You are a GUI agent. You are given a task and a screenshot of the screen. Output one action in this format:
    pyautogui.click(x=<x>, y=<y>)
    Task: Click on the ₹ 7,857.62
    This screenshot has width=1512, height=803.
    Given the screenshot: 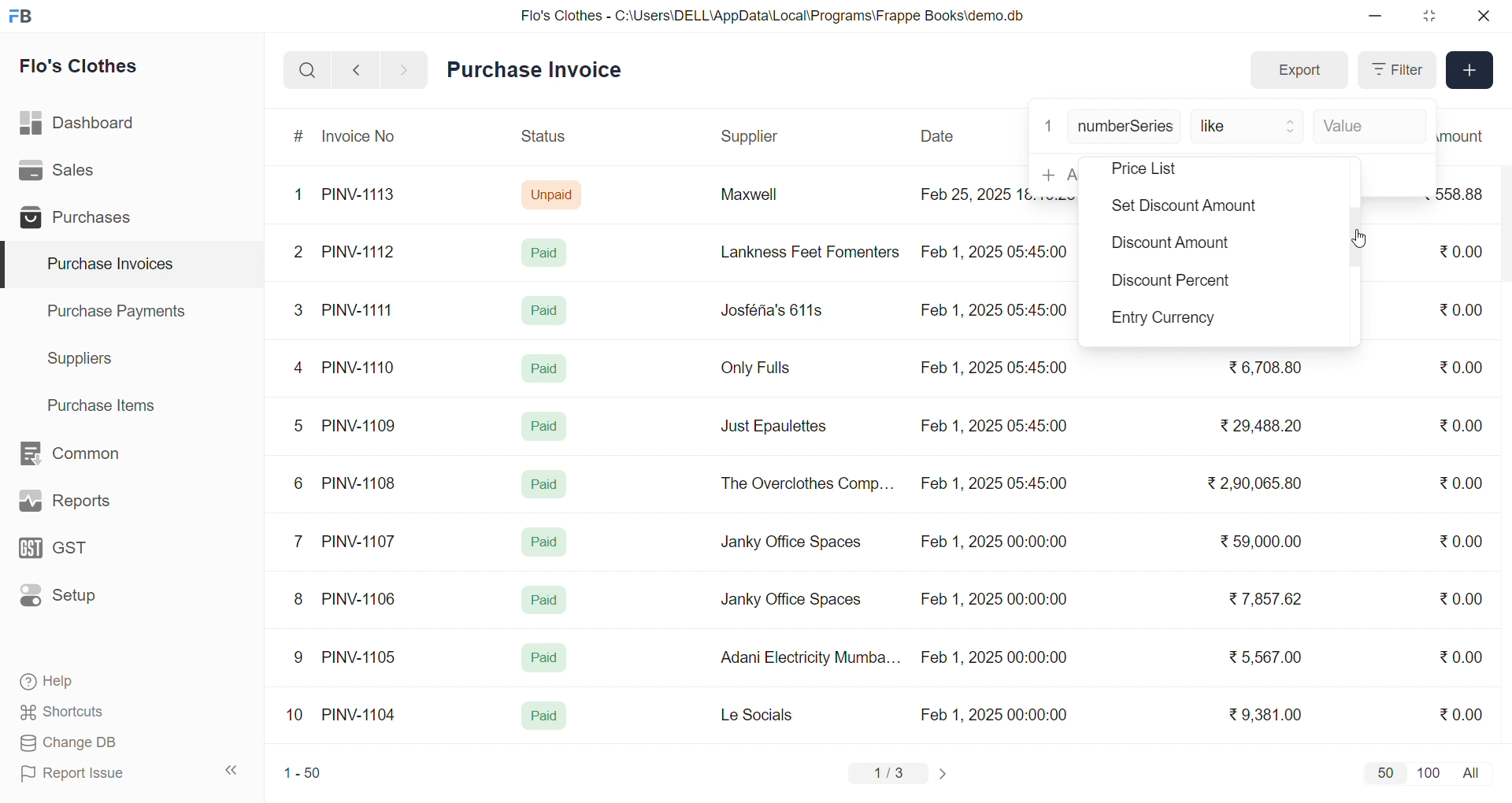 What is the action you would take?
    pyautogui.click(x=1267, y=599)
    